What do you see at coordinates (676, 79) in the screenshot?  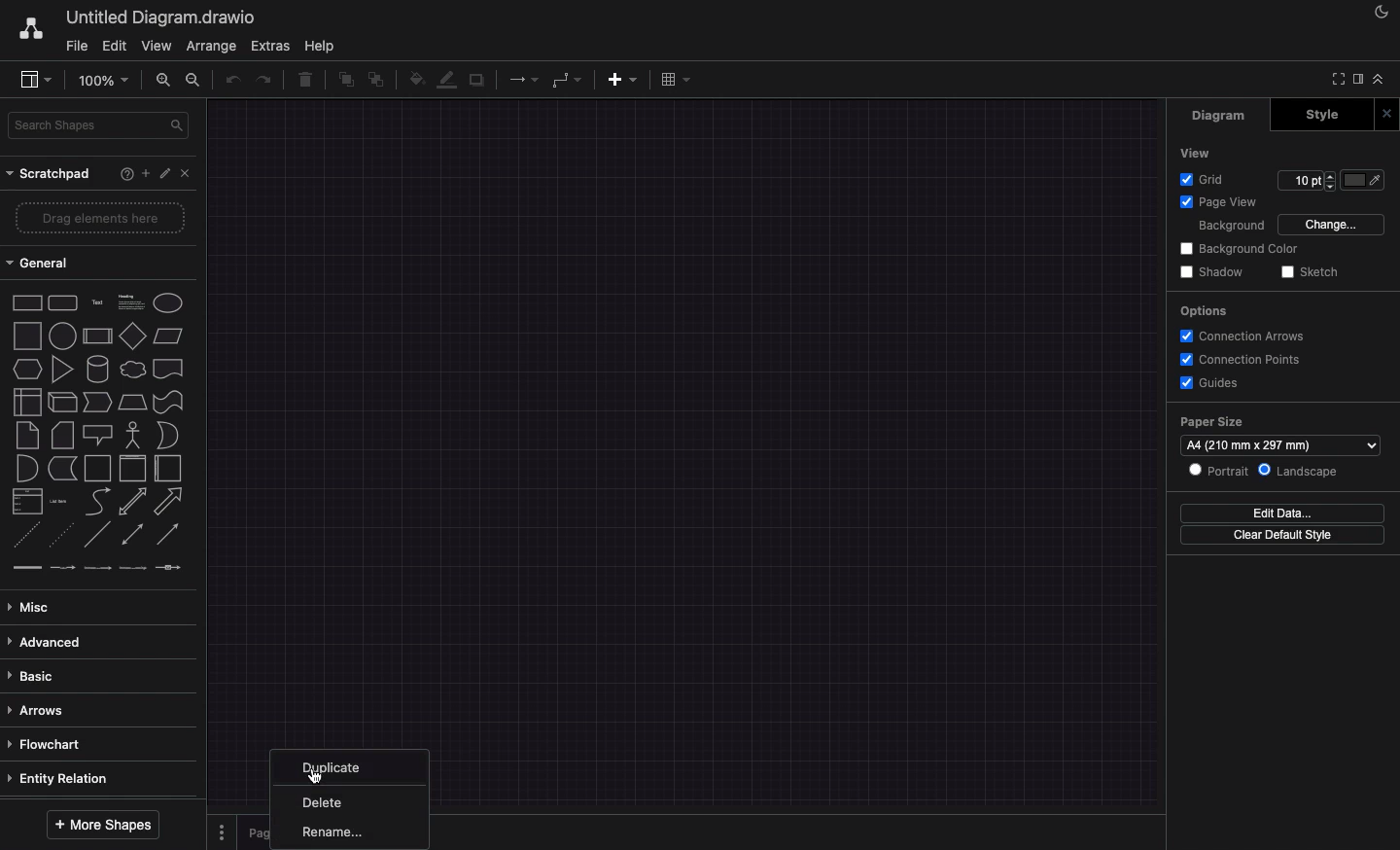 I see `table` at bounding box center [676, 79].